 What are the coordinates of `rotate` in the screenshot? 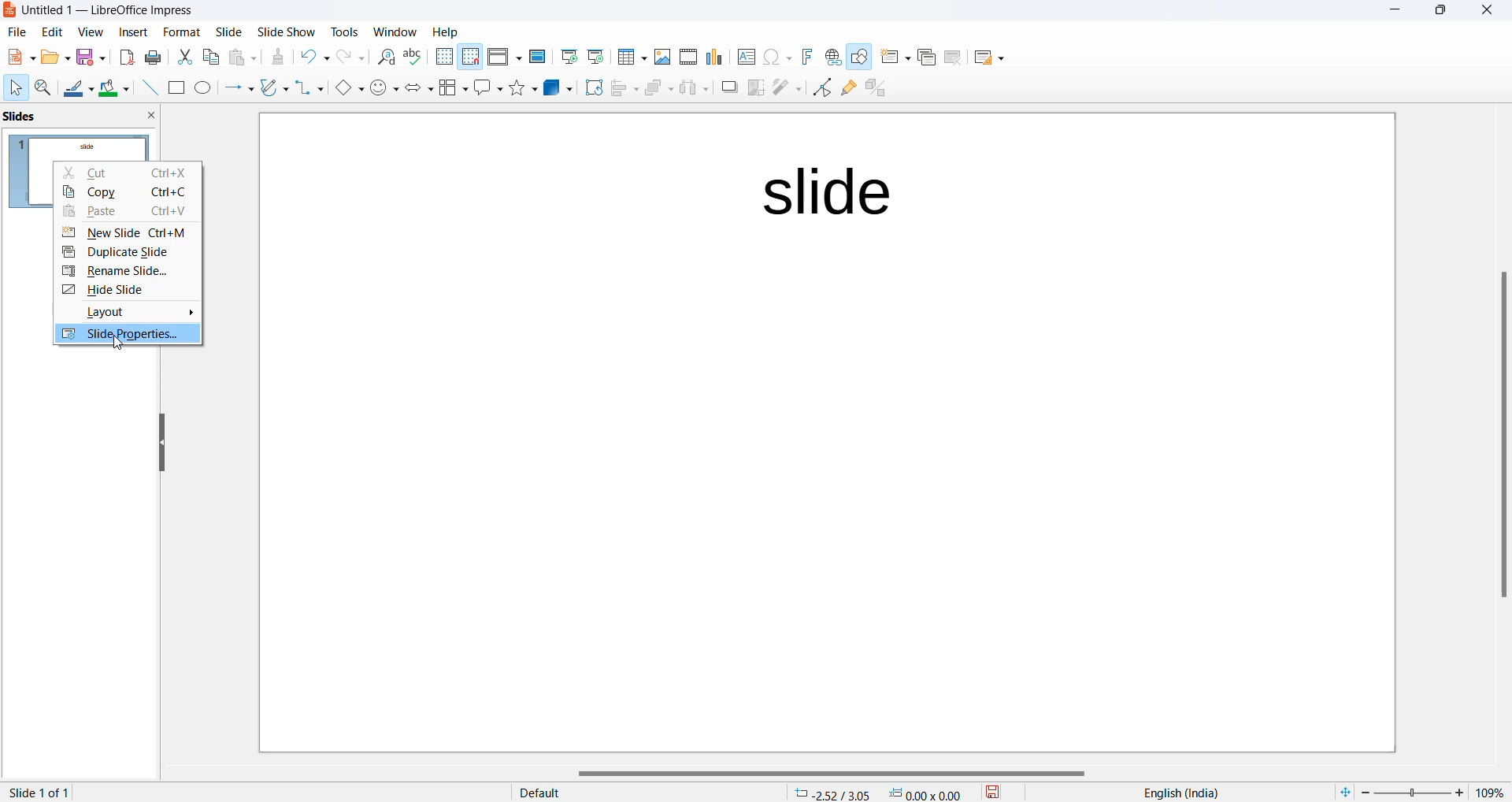 It's located at (592, 87).